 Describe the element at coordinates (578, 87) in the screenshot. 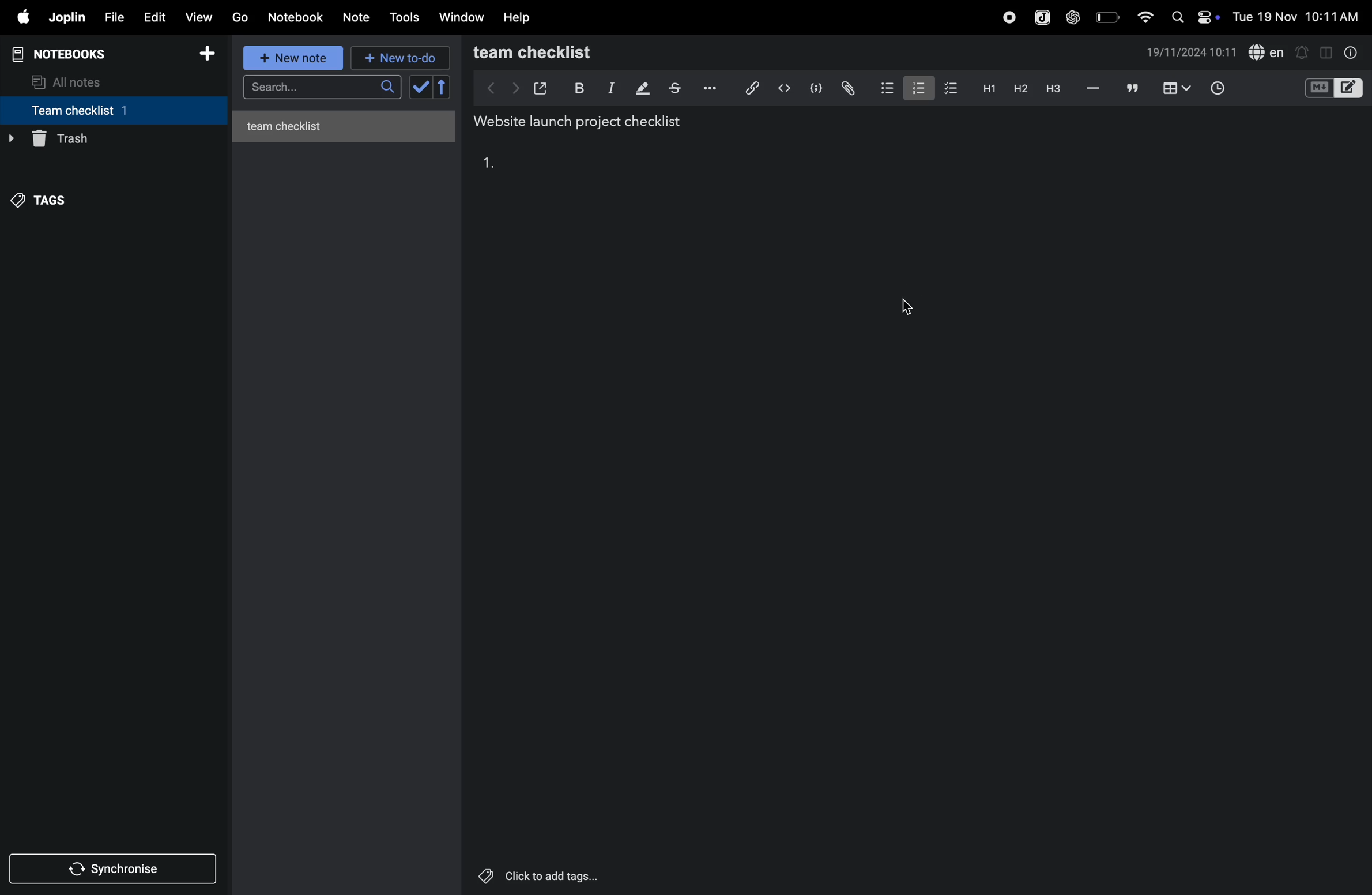

I see `bold` at that location.